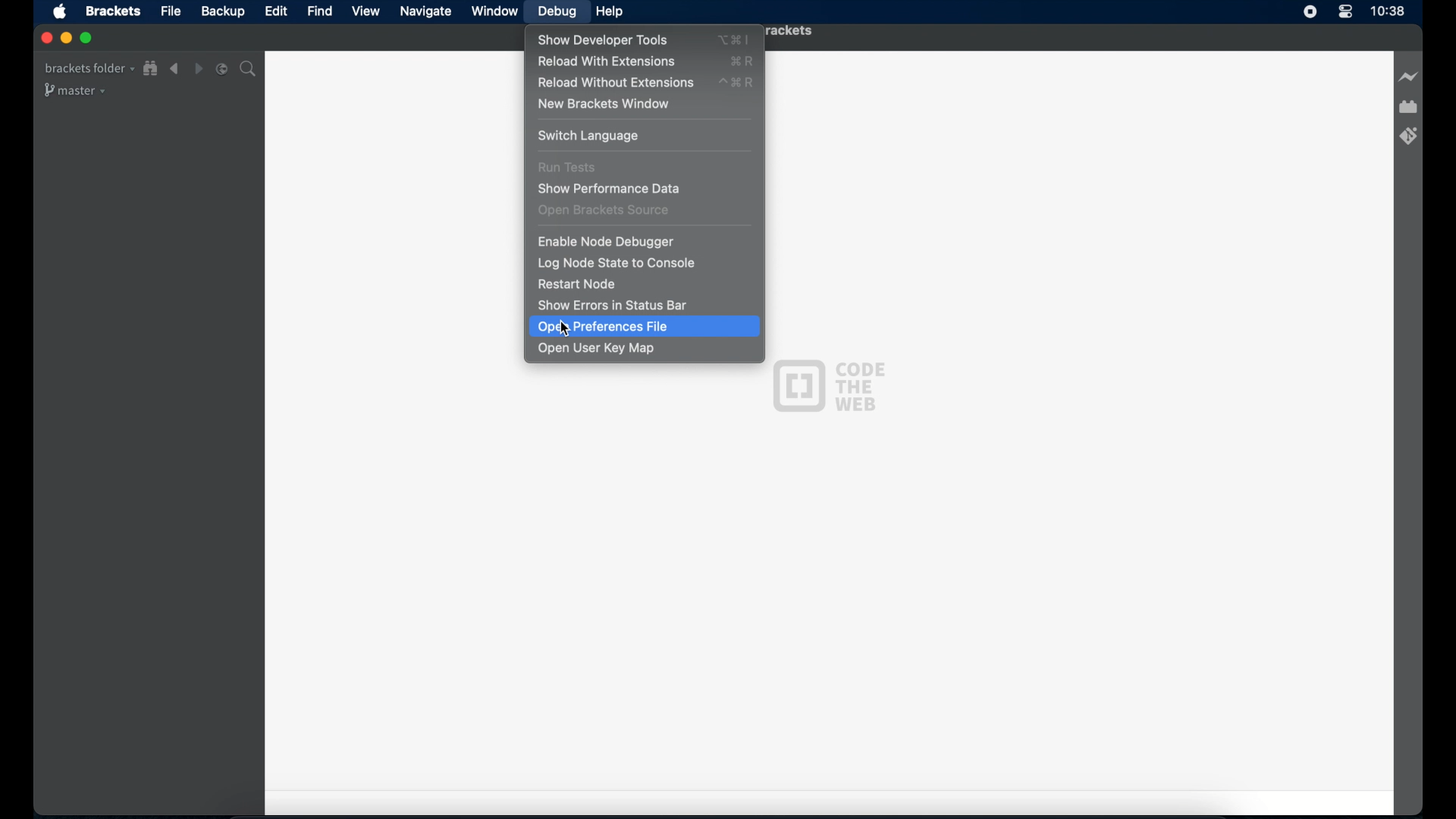  What do you see at coordinates (151, 68) in the screenshot?
I see `show file in  tree` at bounding box center [151, 68].